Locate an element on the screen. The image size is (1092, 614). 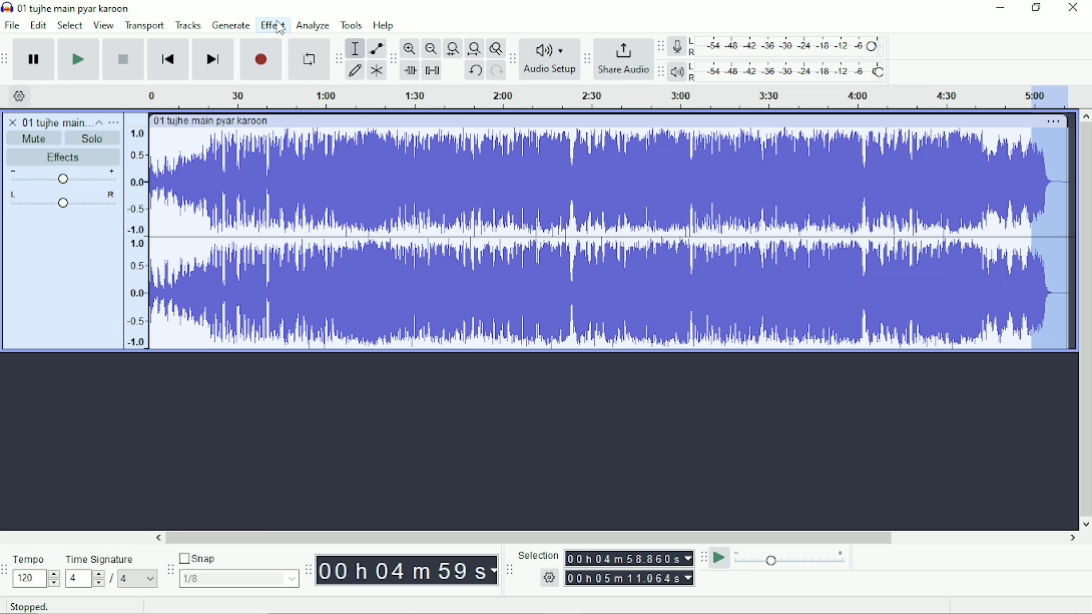
Vertical scrollbar is located at coordinates (1085, 320).